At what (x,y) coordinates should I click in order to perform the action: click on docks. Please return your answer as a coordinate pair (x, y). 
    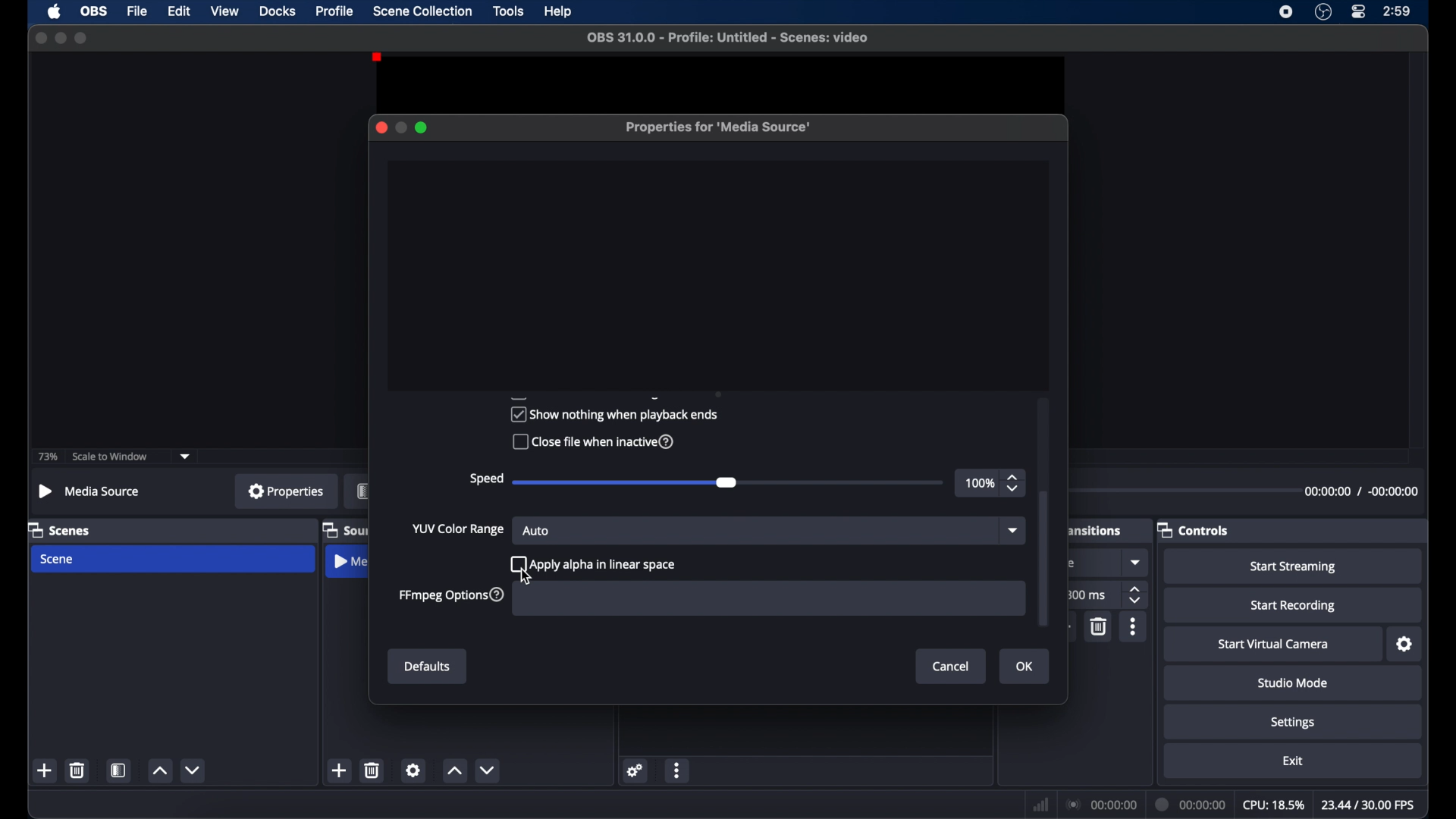
    Looking at the image, I should click on (278, 12).